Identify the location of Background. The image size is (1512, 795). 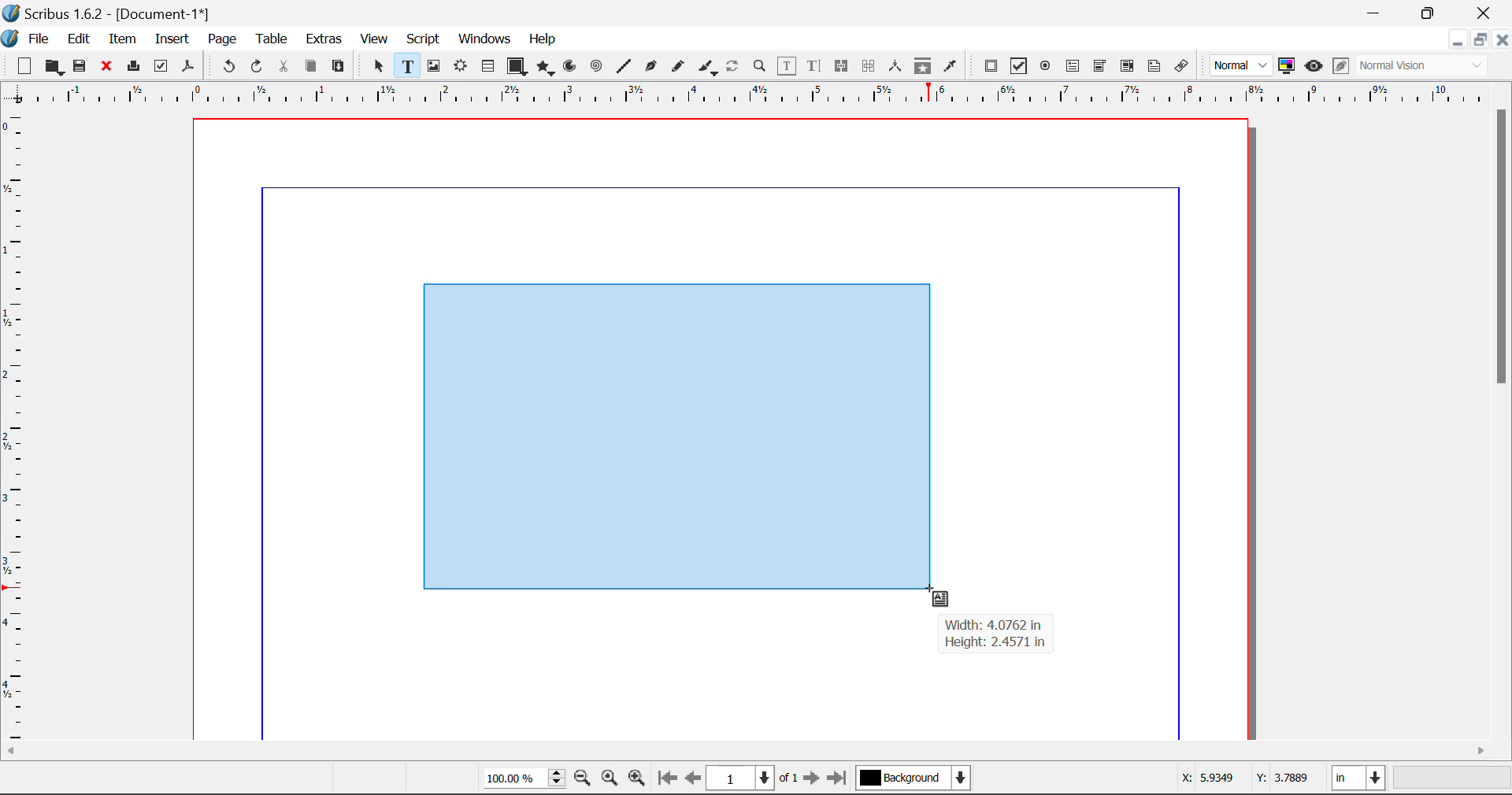
(913, 779).